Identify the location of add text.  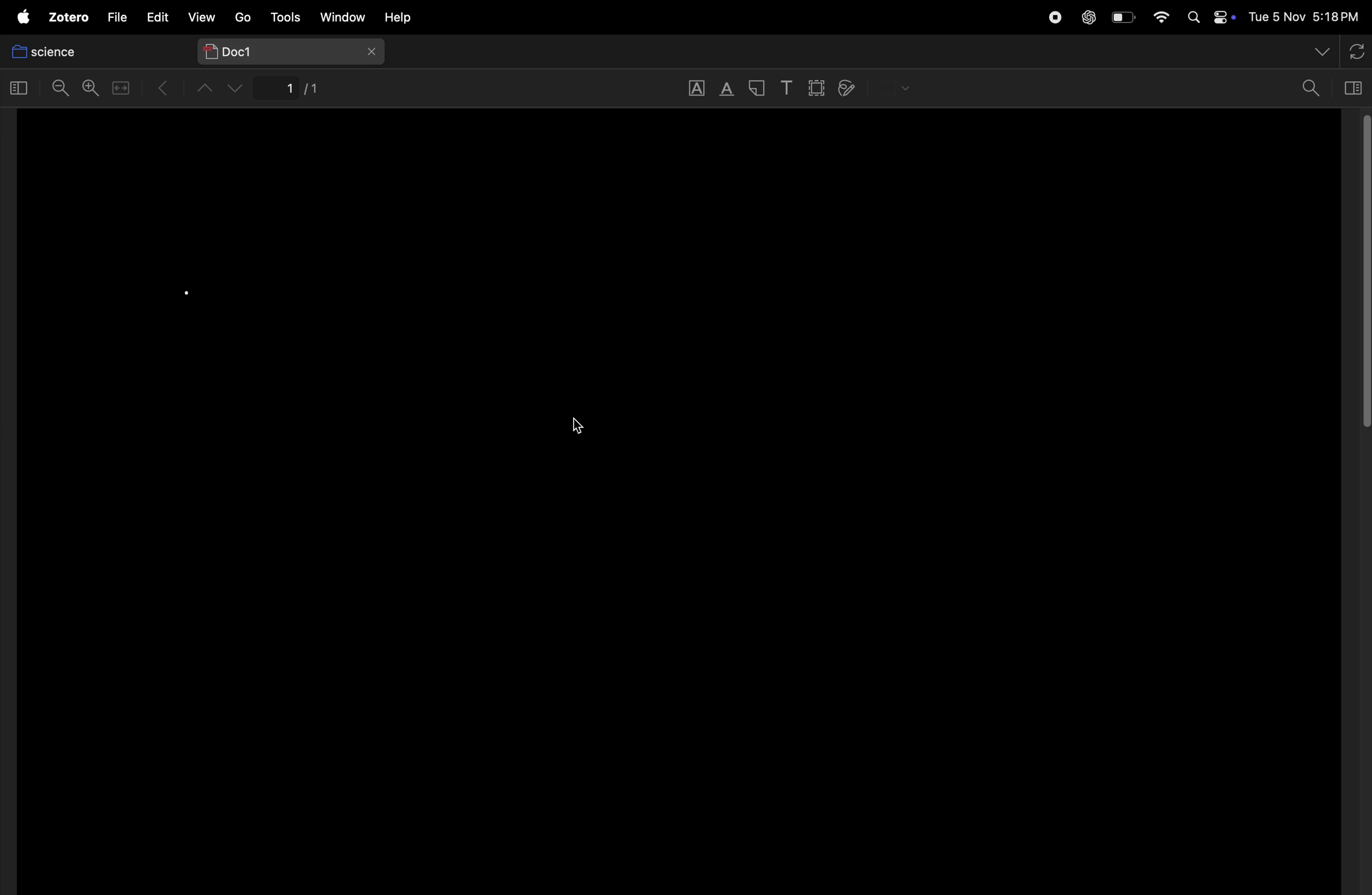
(787, 89).